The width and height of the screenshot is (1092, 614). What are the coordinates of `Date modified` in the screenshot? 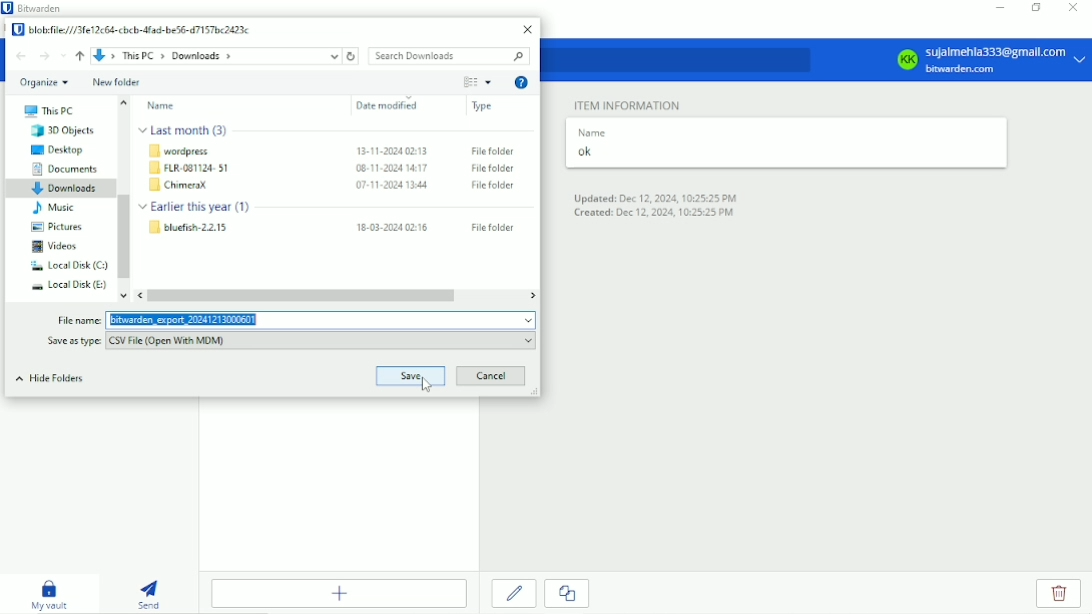 It's located at (390, 107).